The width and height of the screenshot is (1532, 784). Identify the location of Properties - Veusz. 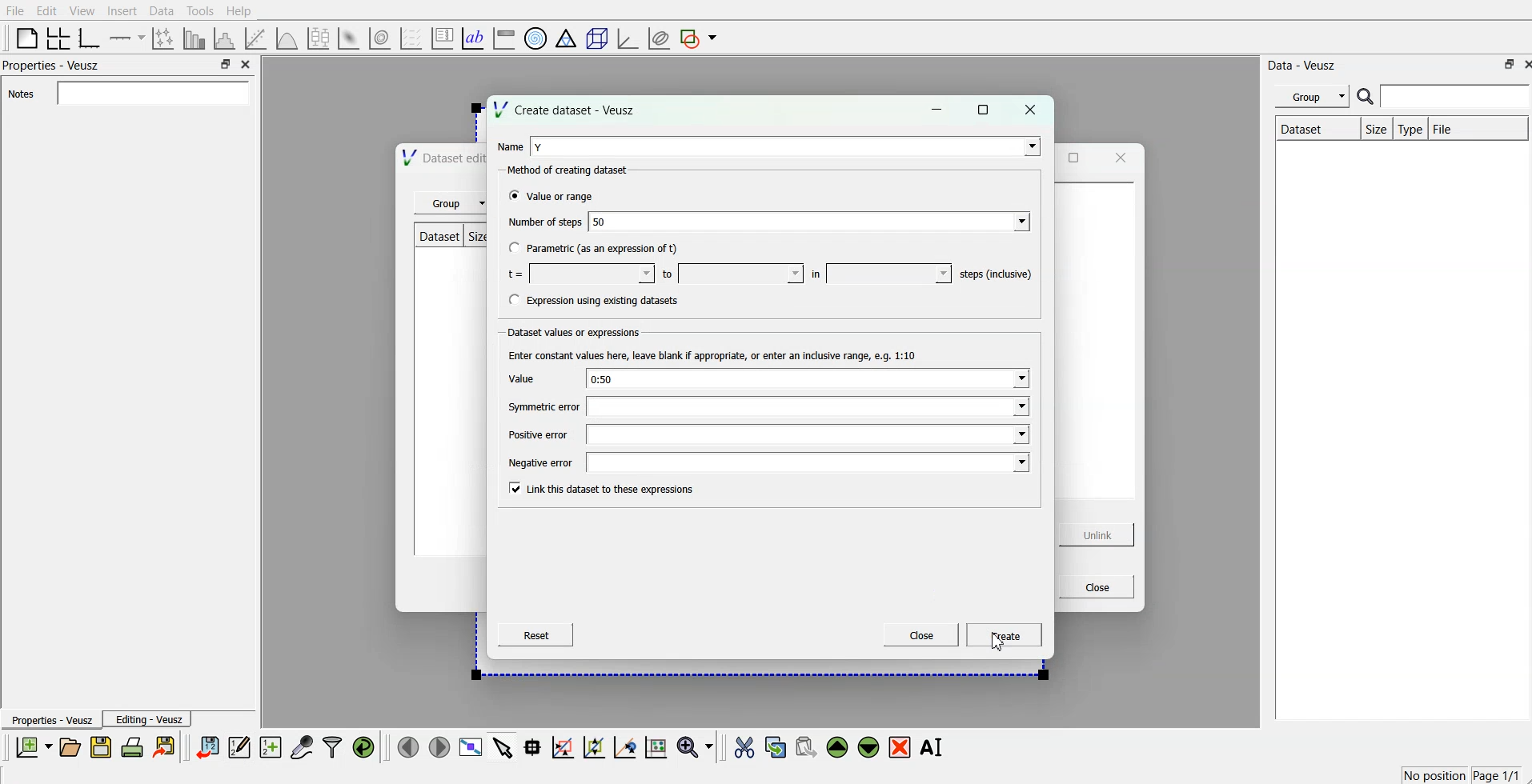
(53, 720).